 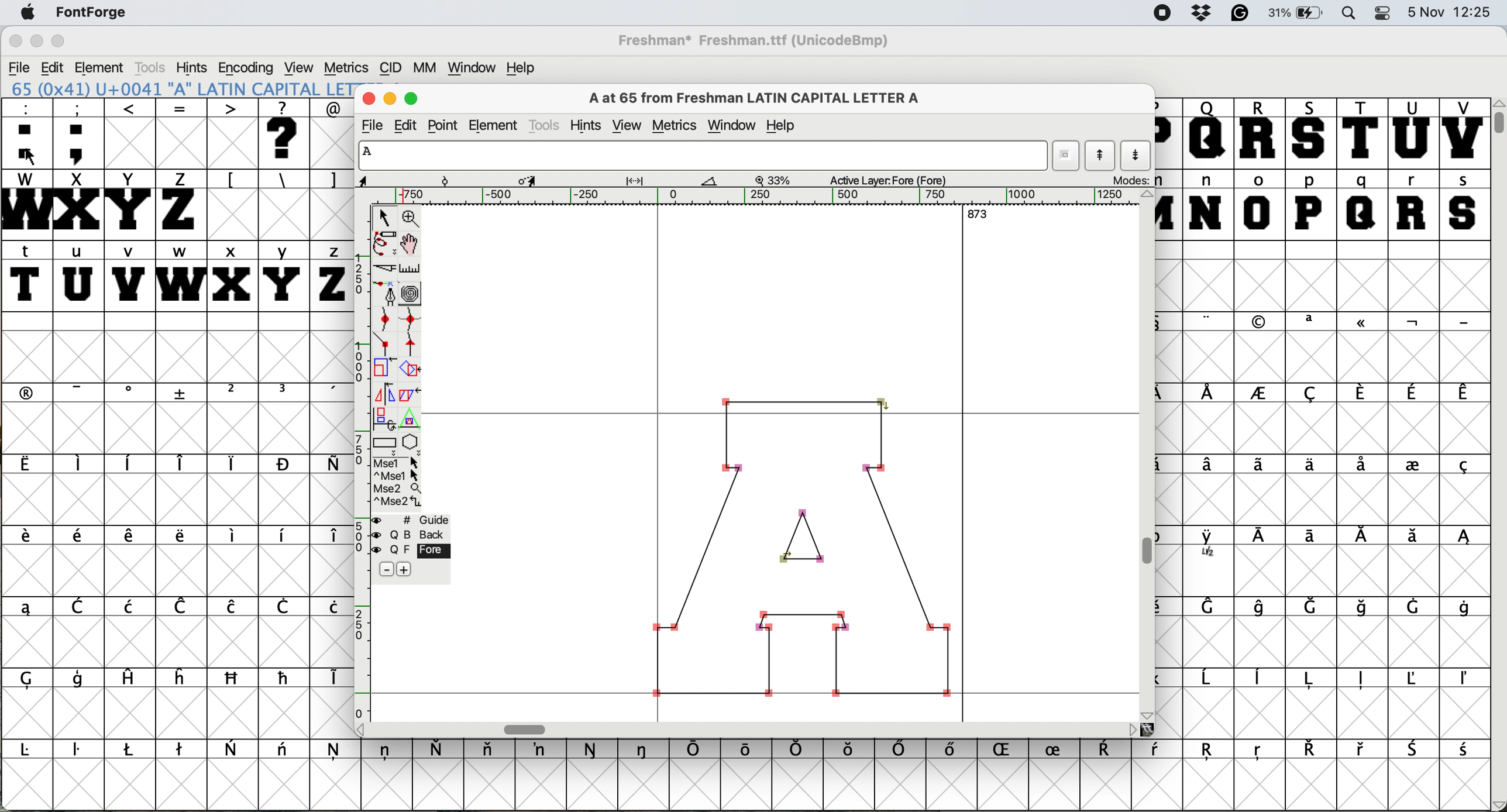 I want to click on maximise, so click(x=412, y=99).